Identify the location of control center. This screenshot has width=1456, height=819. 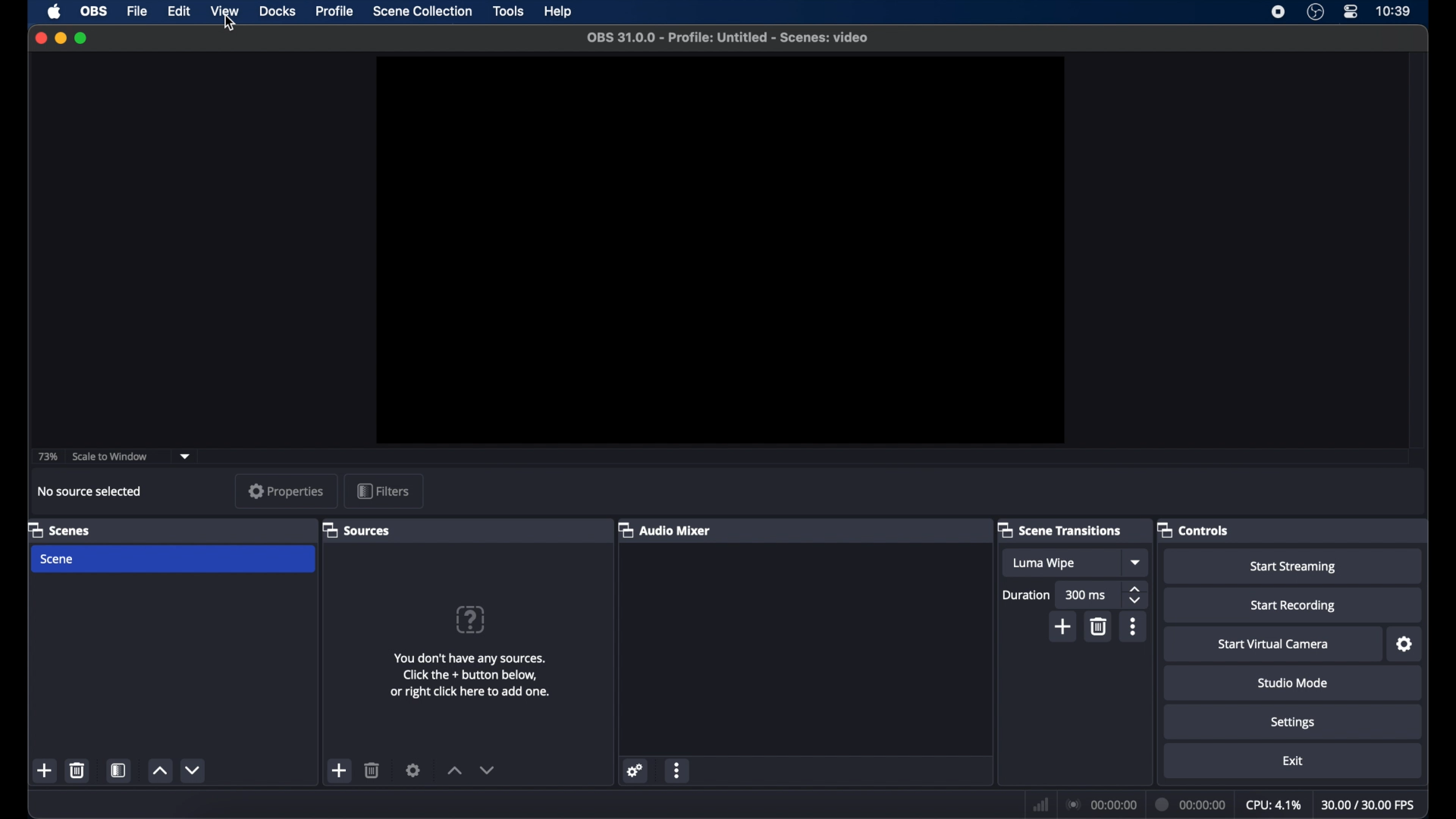
(1351, 12).